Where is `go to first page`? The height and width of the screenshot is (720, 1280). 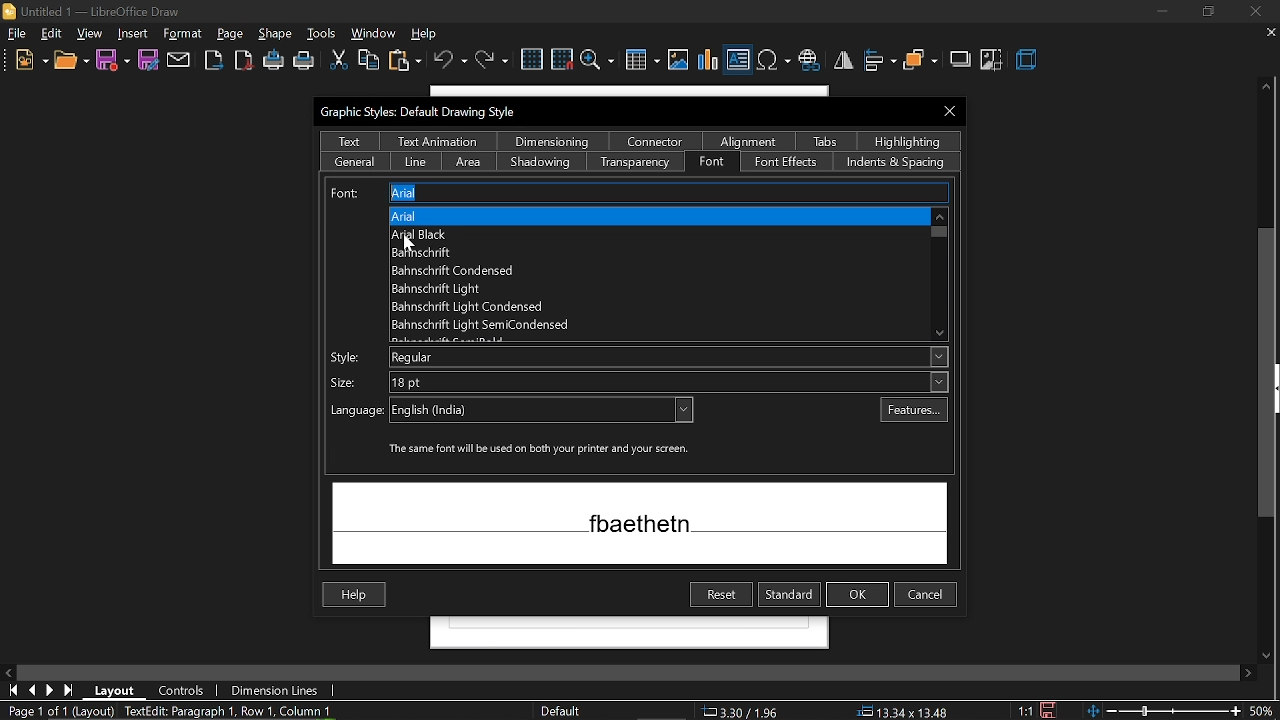 go to first page is located at coordinates (10, 690).